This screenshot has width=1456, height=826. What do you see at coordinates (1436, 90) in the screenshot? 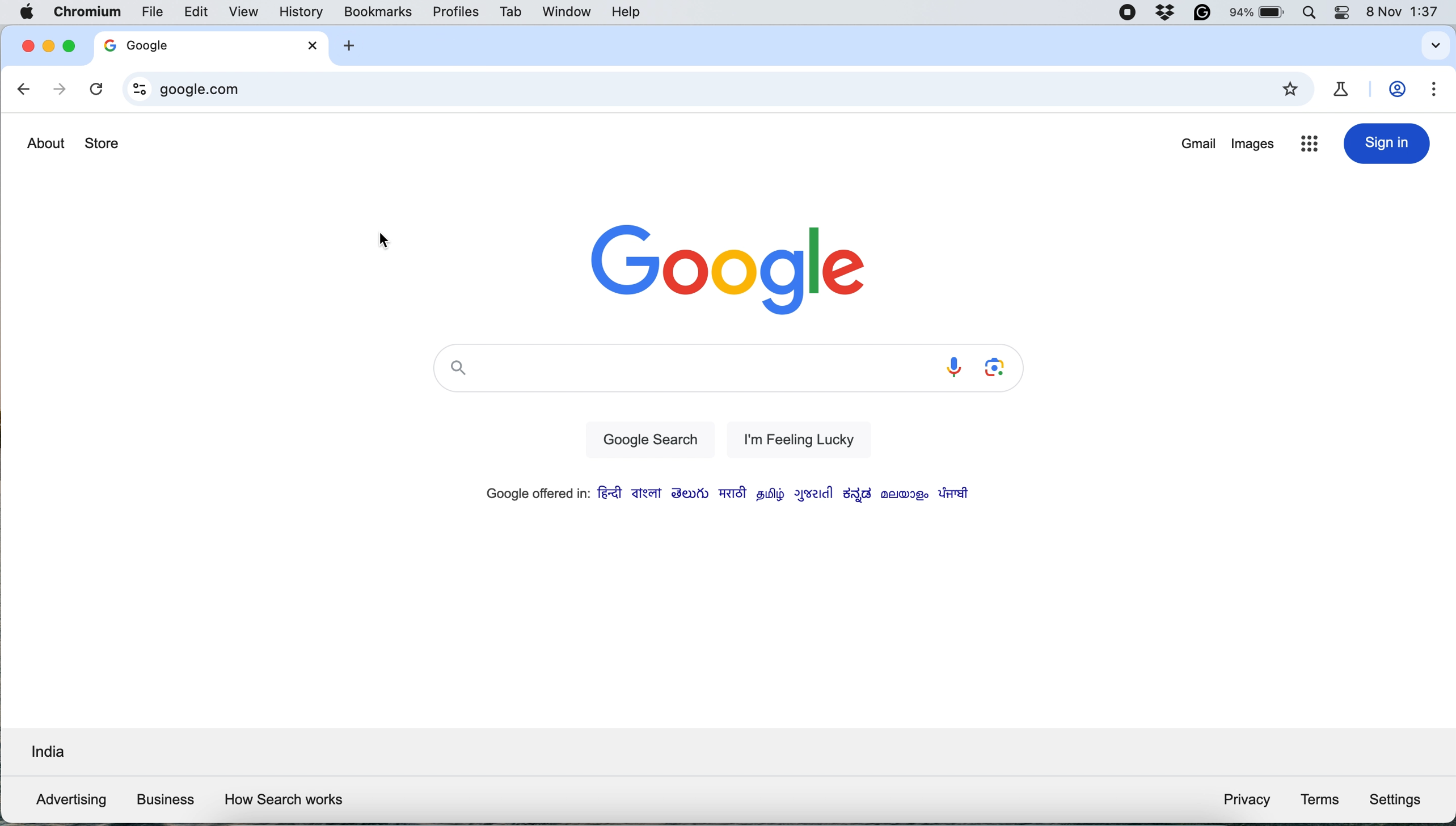
I see `settings` at bounding box center [1436, 90].